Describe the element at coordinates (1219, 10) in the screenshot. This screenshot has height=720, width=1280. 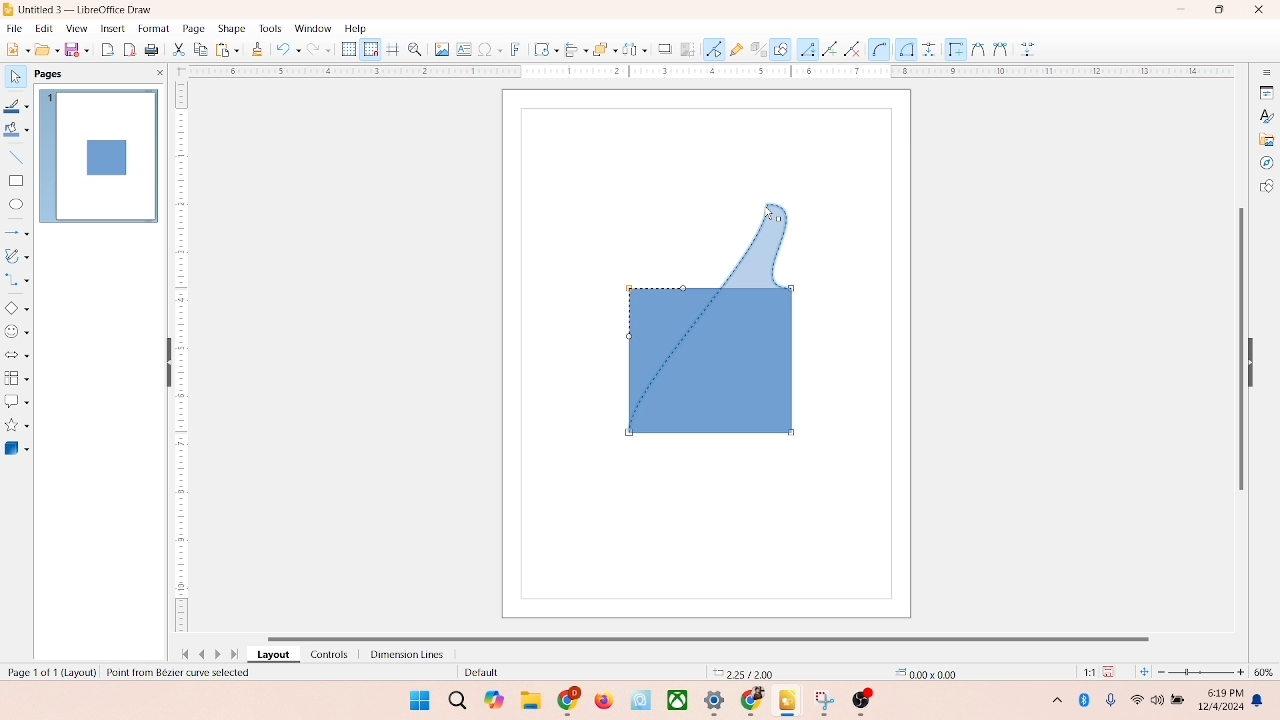
I see `maximize` at that location.